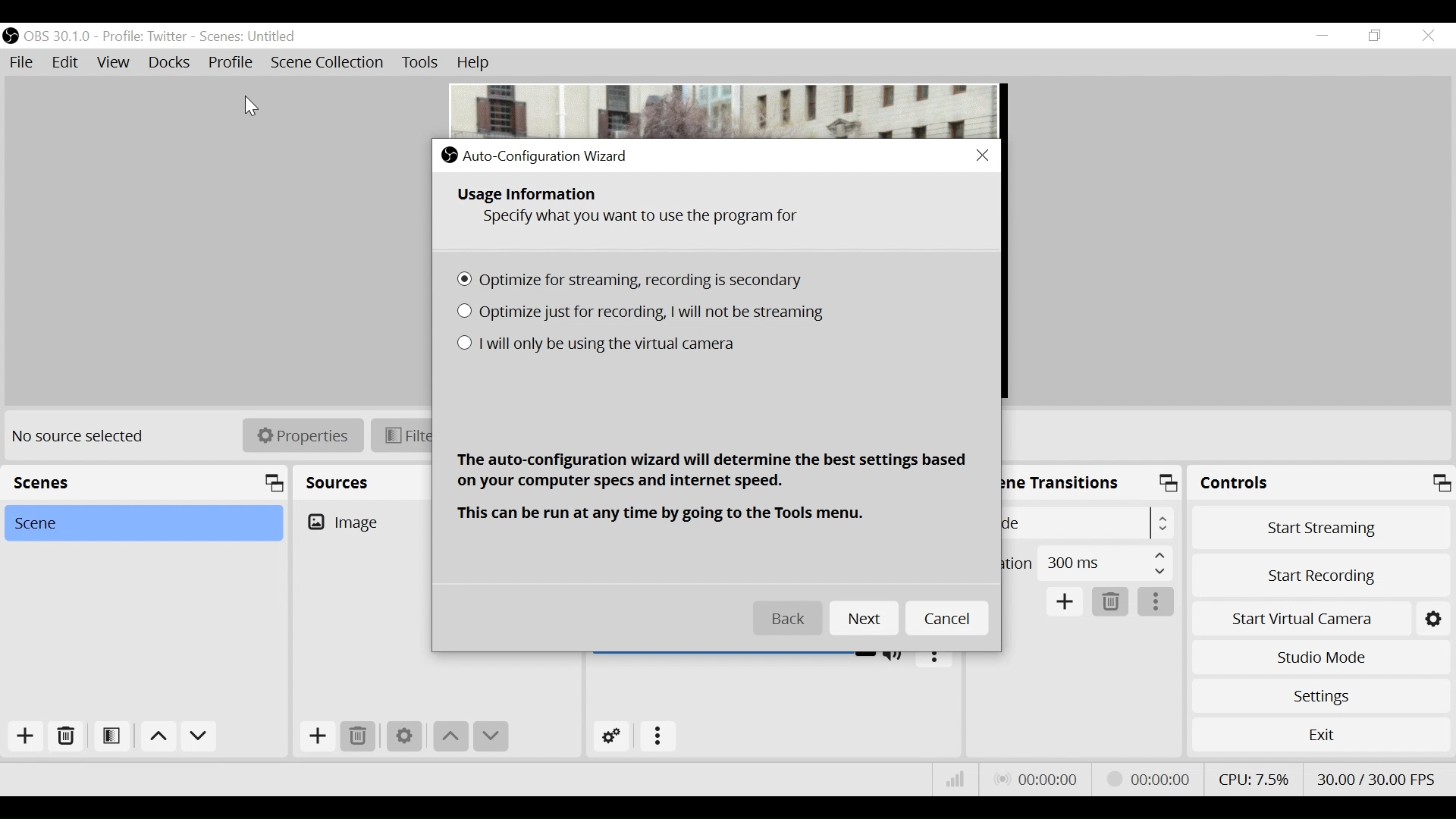  I want to click on Image, so click(365, 521).